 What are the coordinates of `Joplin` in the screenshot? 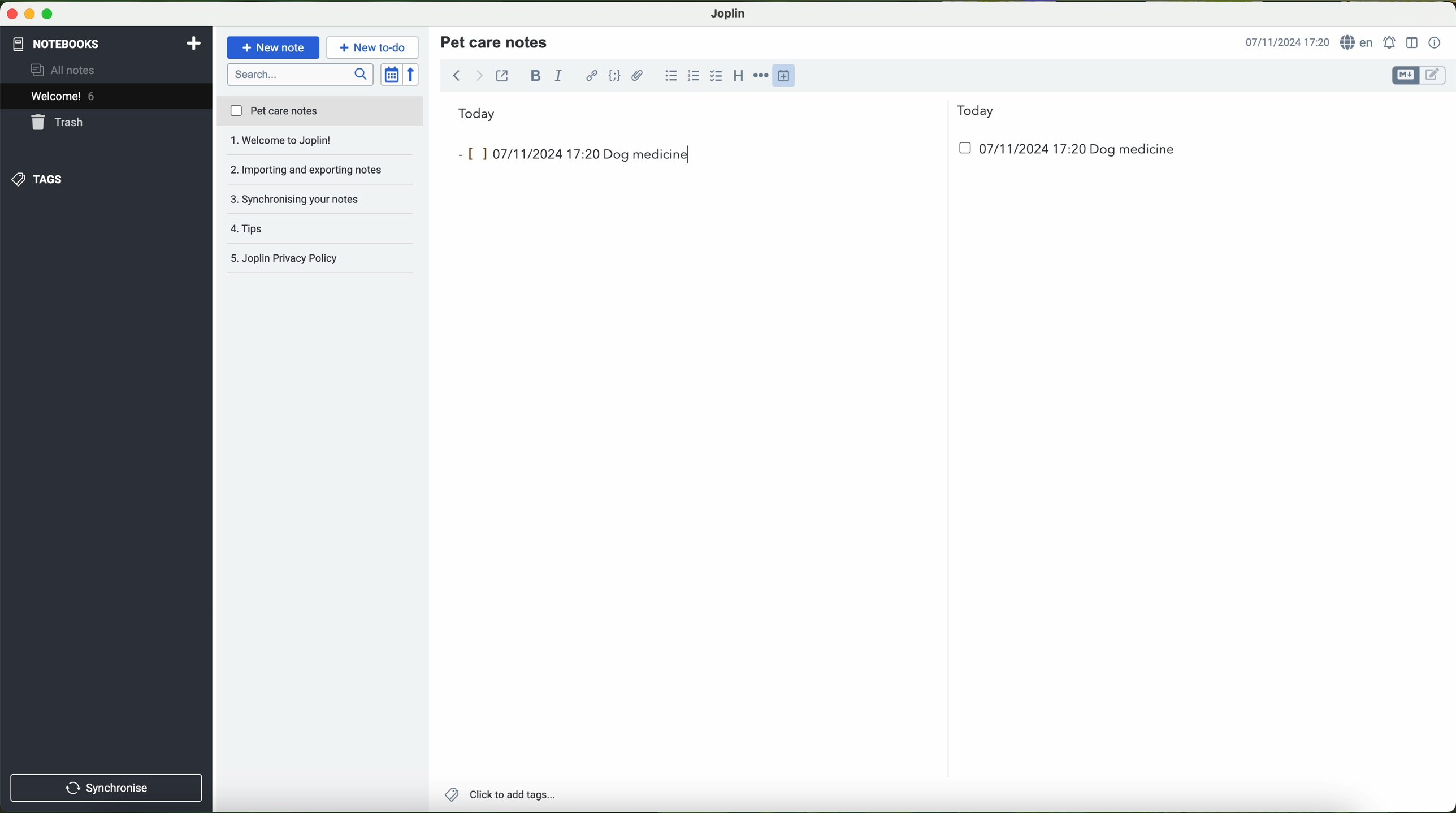 It's located at (729, 12).